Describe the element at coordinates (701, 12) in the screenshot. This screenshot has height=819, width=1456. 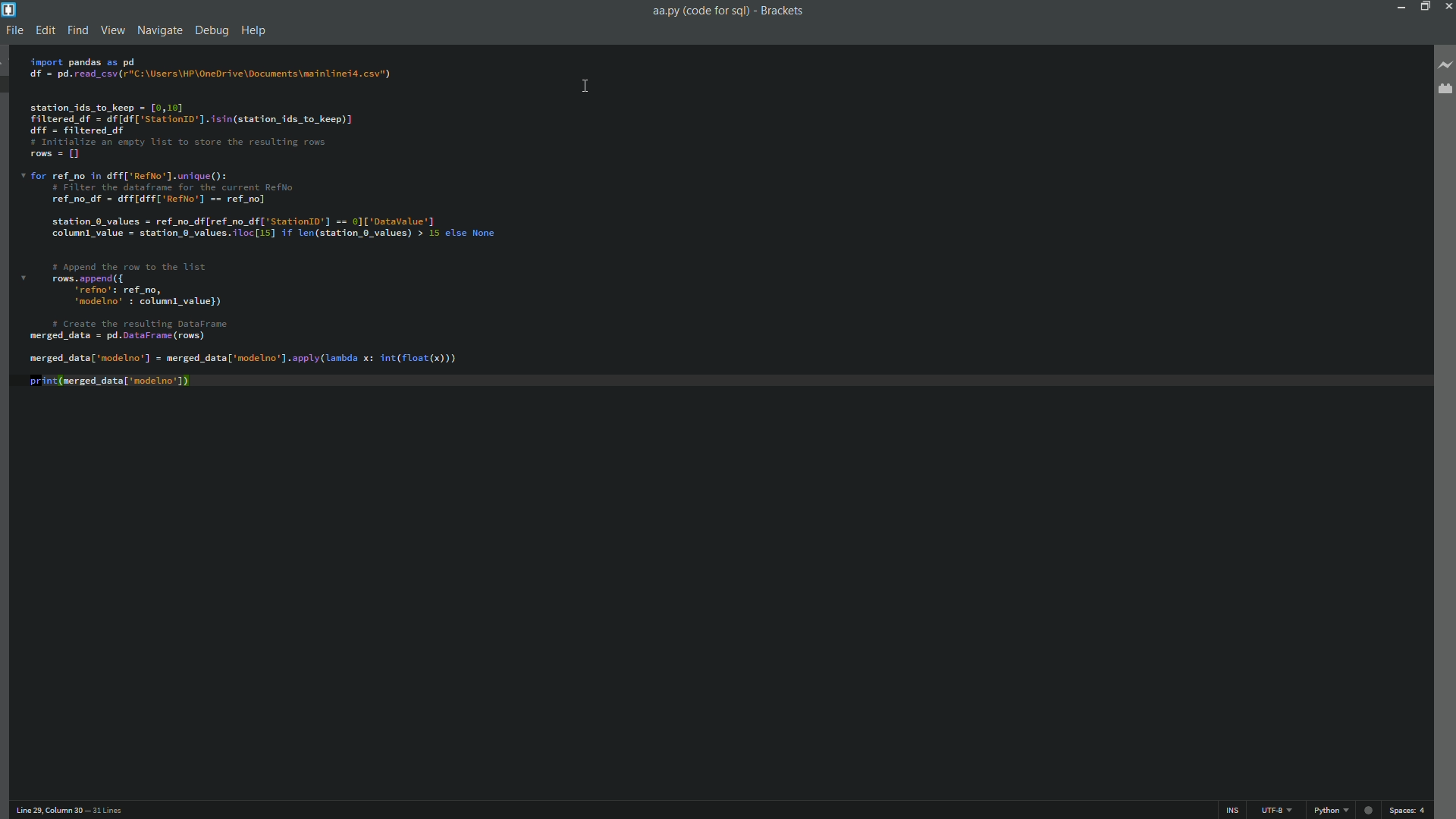
I see `file name` at that location.